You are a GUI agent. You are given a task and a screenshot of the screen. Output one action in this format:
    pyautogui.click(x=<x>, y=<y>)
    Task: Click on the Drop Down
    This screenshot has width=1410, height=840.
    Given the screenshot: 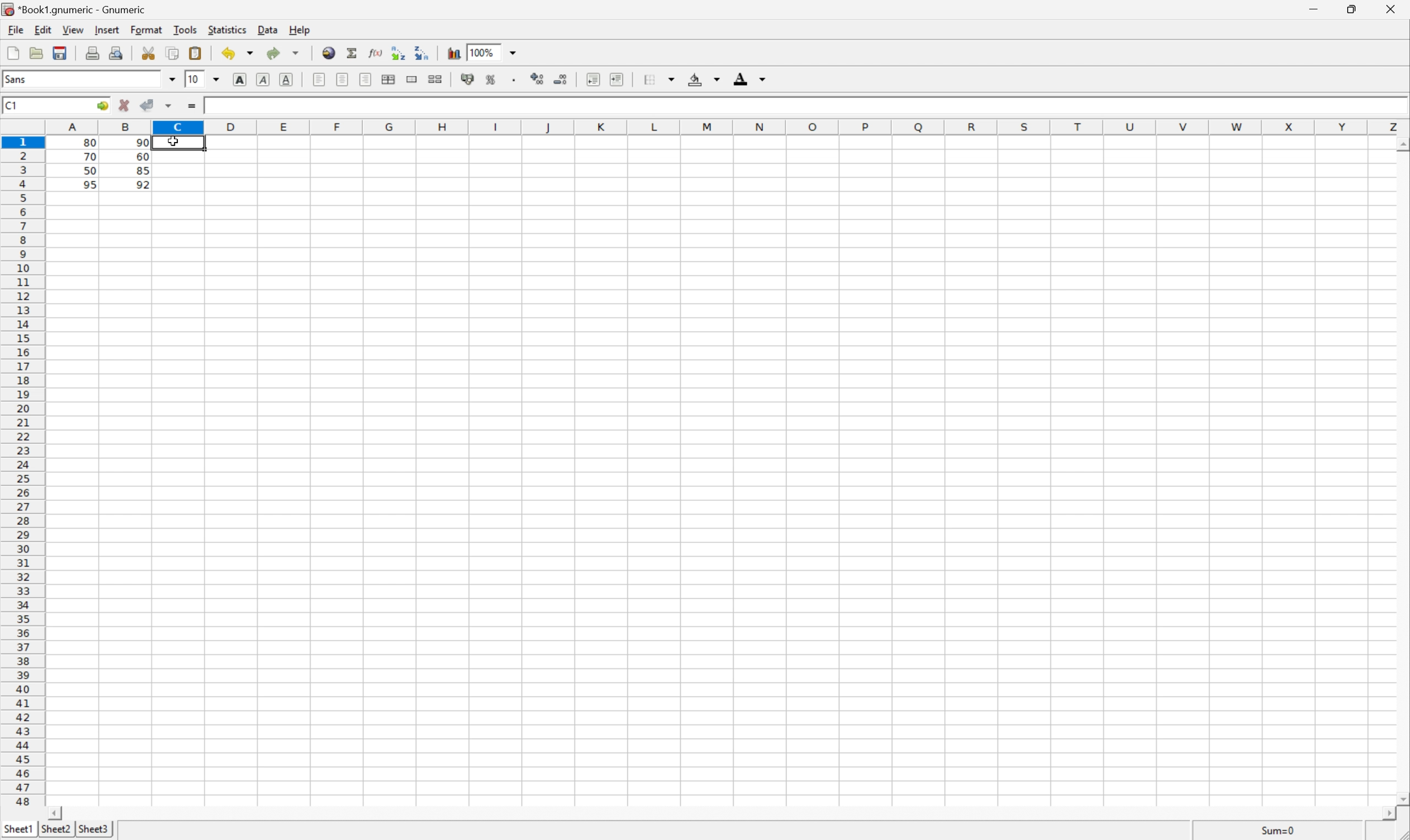 What is the action you would take?
    pyautogui.click(x=220, y=79)
    